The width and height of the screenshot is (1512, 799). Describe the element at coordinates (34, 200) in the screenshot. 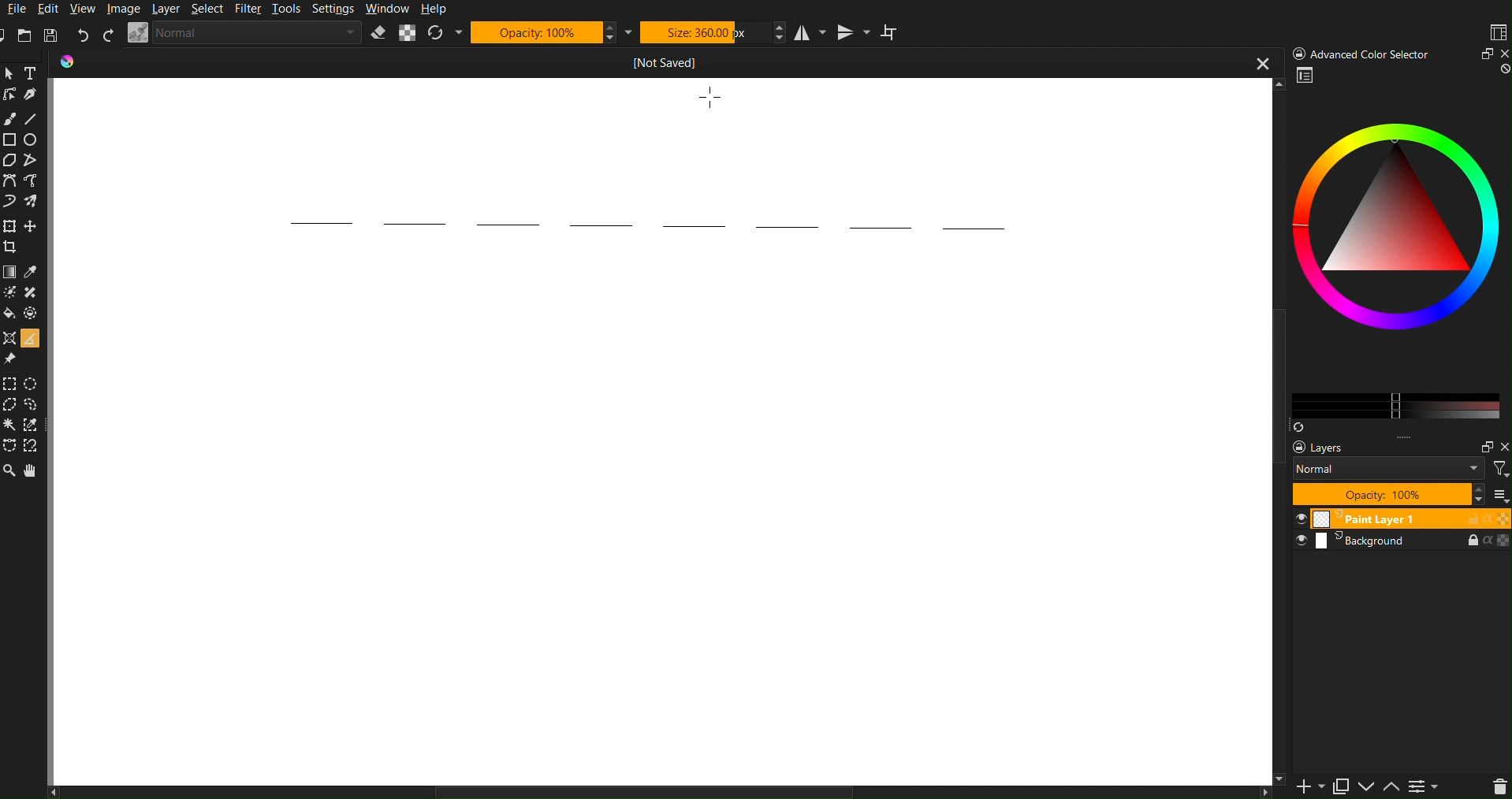

I see `Brushes` at that location.